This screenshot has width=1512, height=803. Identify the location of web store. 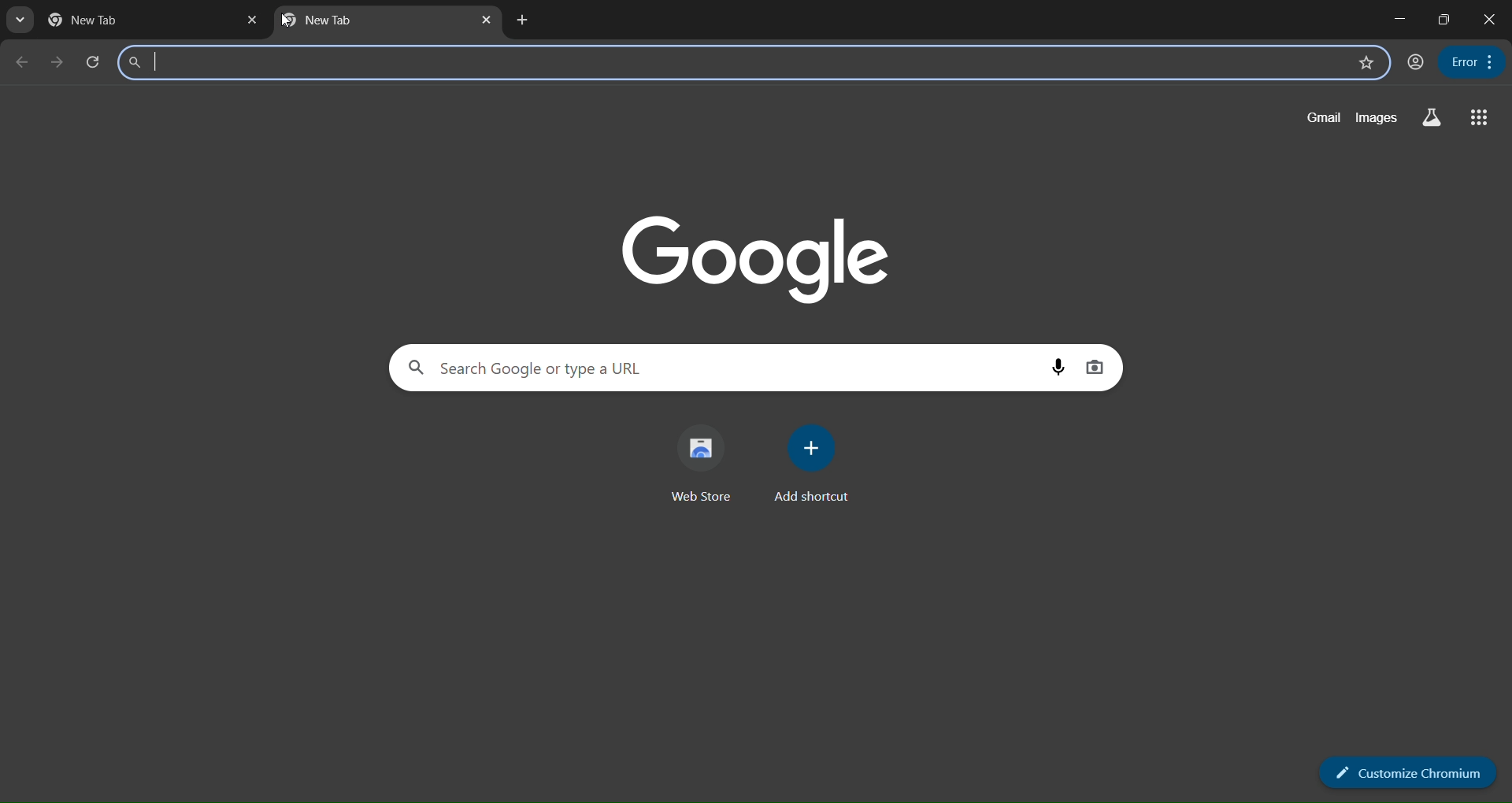
(693, 470).